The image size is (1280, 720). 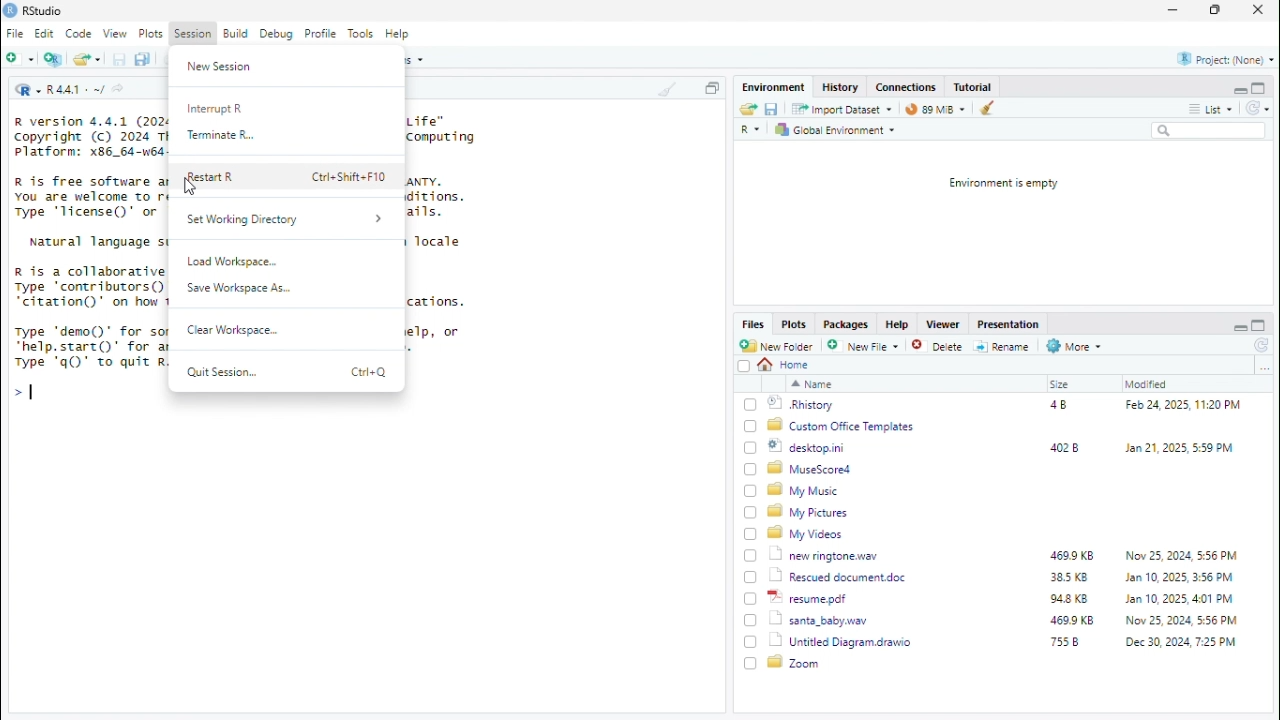 I want to click on maximise, so click(x=1215, y=9).